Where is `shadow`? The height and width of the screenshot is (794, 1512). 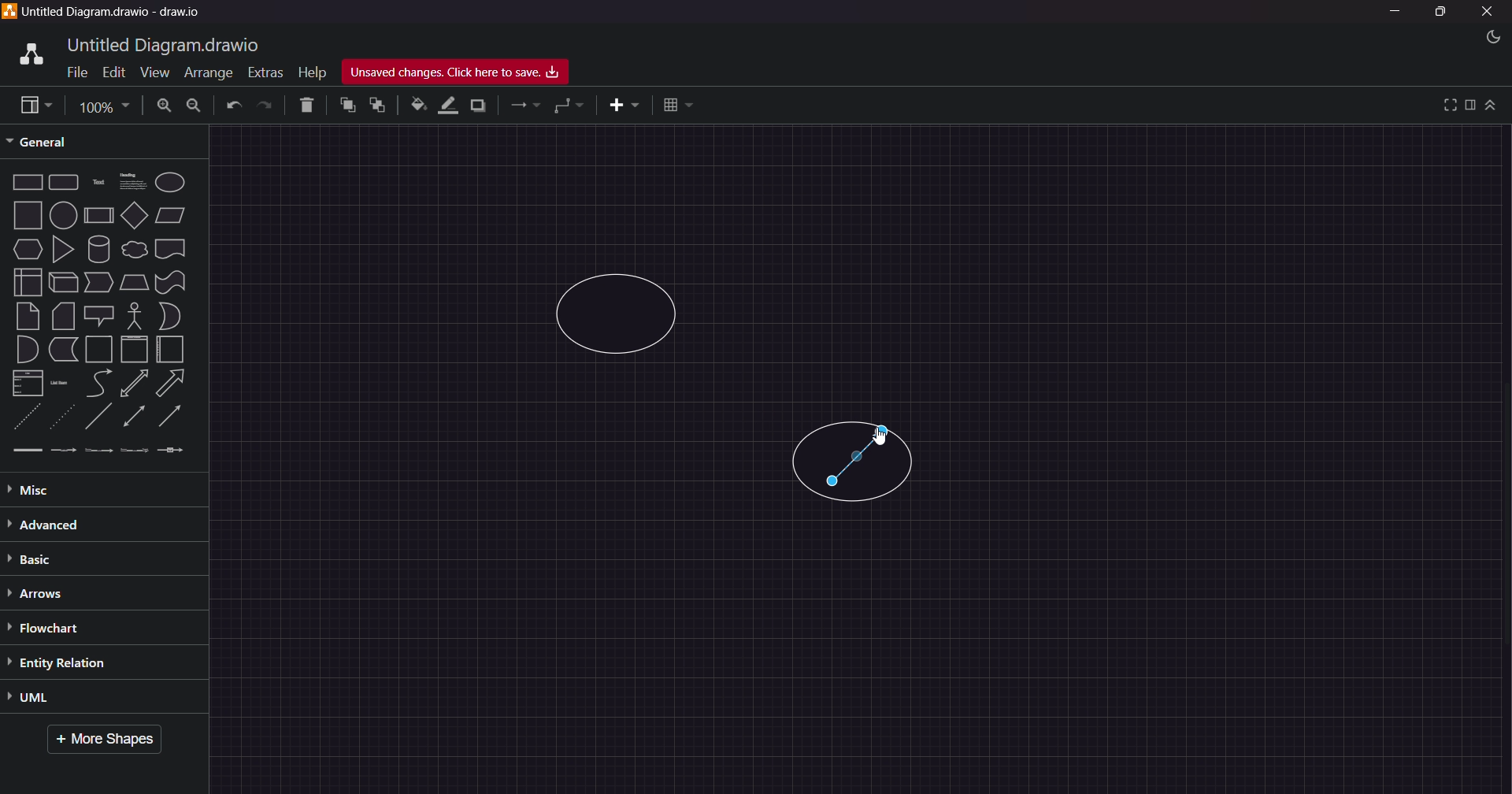 shadow is located at coordinates (481, 105).